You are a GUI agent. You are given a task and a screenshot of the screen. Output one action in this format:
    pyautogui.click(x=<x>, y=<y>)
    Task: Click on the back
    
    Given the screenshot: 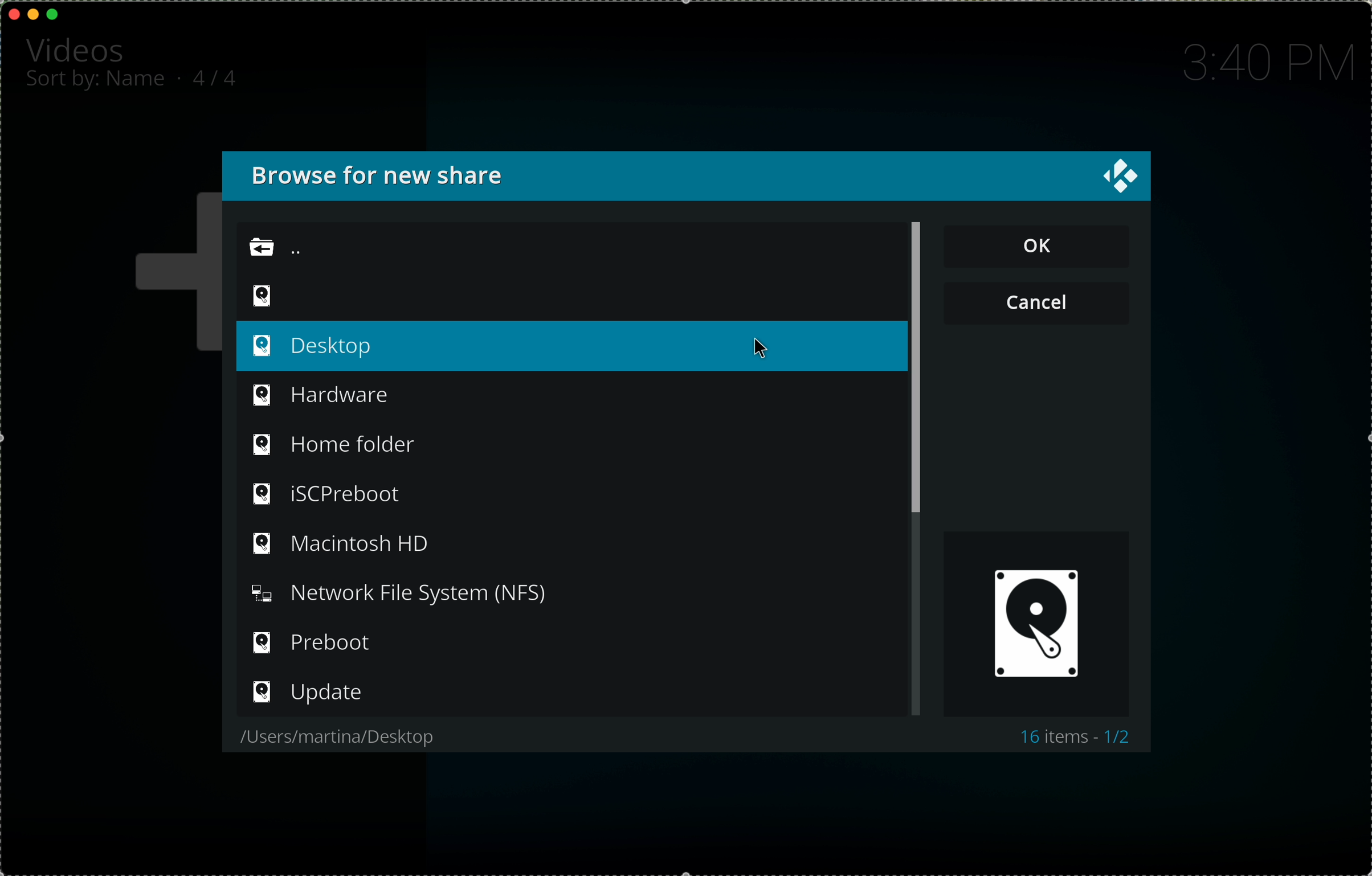 What is the action you would take?
    pyautogui.click(x=275, y=247)
    